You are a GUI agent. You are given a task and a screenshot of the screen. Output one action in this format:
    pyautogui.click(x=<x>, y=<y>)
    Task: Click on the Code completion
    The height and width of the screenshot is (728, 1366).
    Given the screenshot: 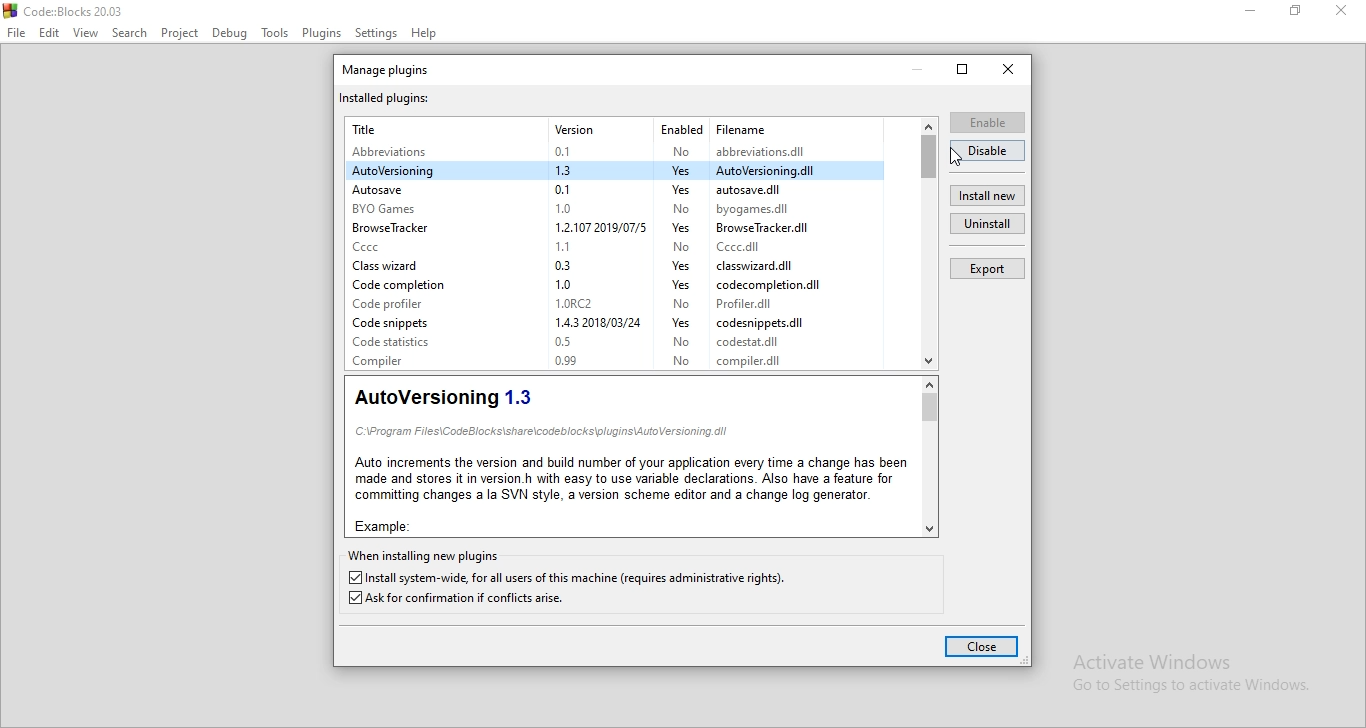 What is the action you would take?
    pyautogui.click(x=404, y=285)
    